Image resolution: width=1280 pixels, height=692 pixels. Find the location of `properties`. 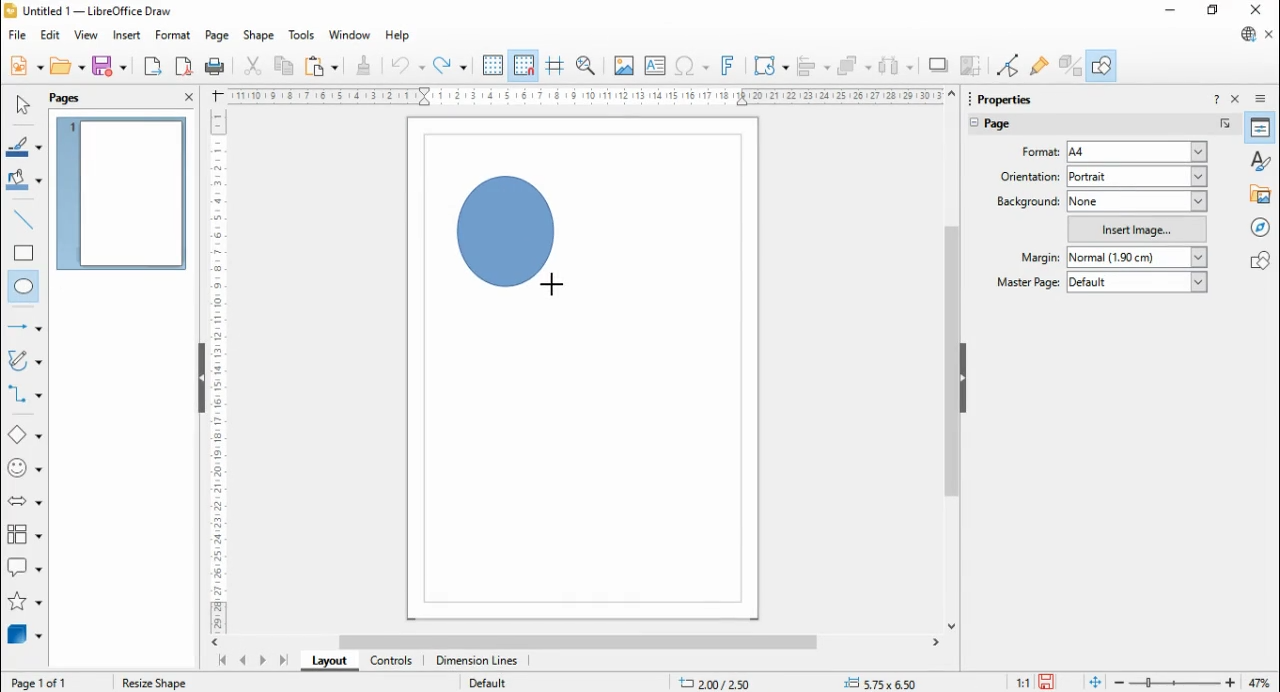

properties is located at coordinates (1014, 97).